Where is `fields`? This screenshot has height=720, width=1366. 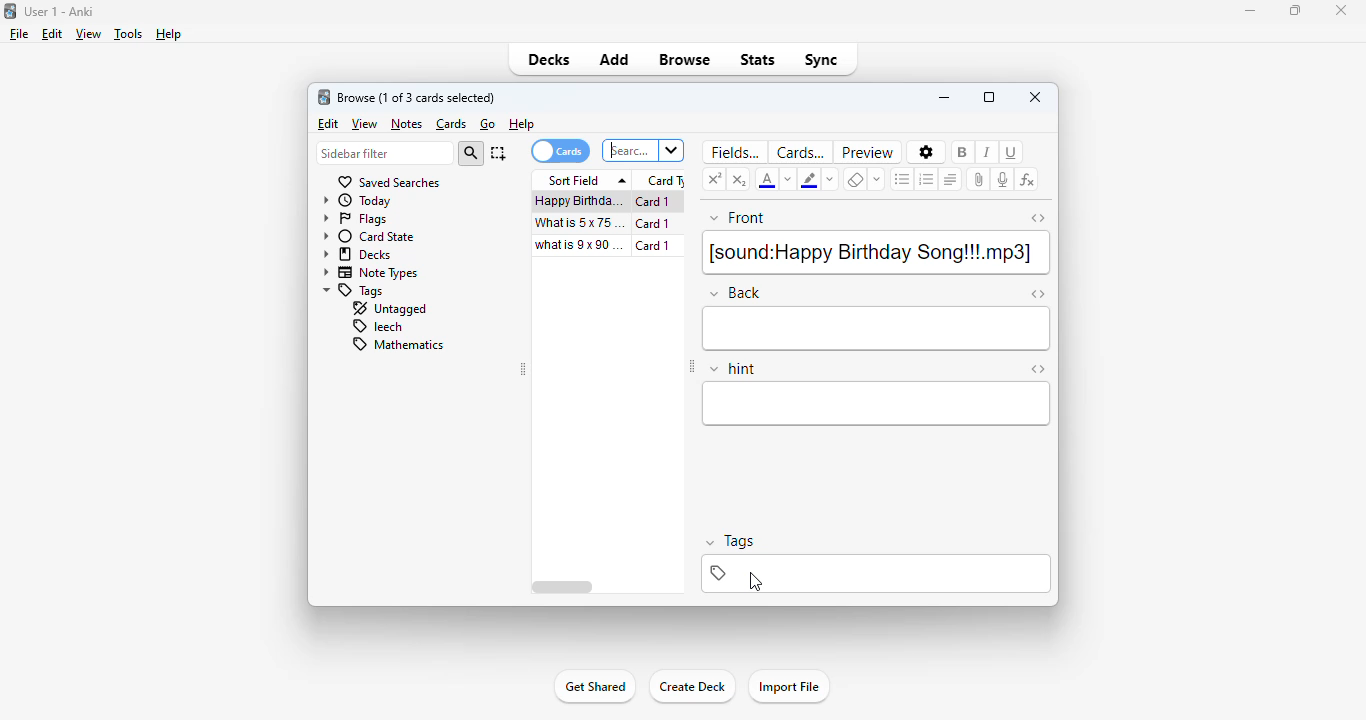 fields is located at coordinates (732, 152).